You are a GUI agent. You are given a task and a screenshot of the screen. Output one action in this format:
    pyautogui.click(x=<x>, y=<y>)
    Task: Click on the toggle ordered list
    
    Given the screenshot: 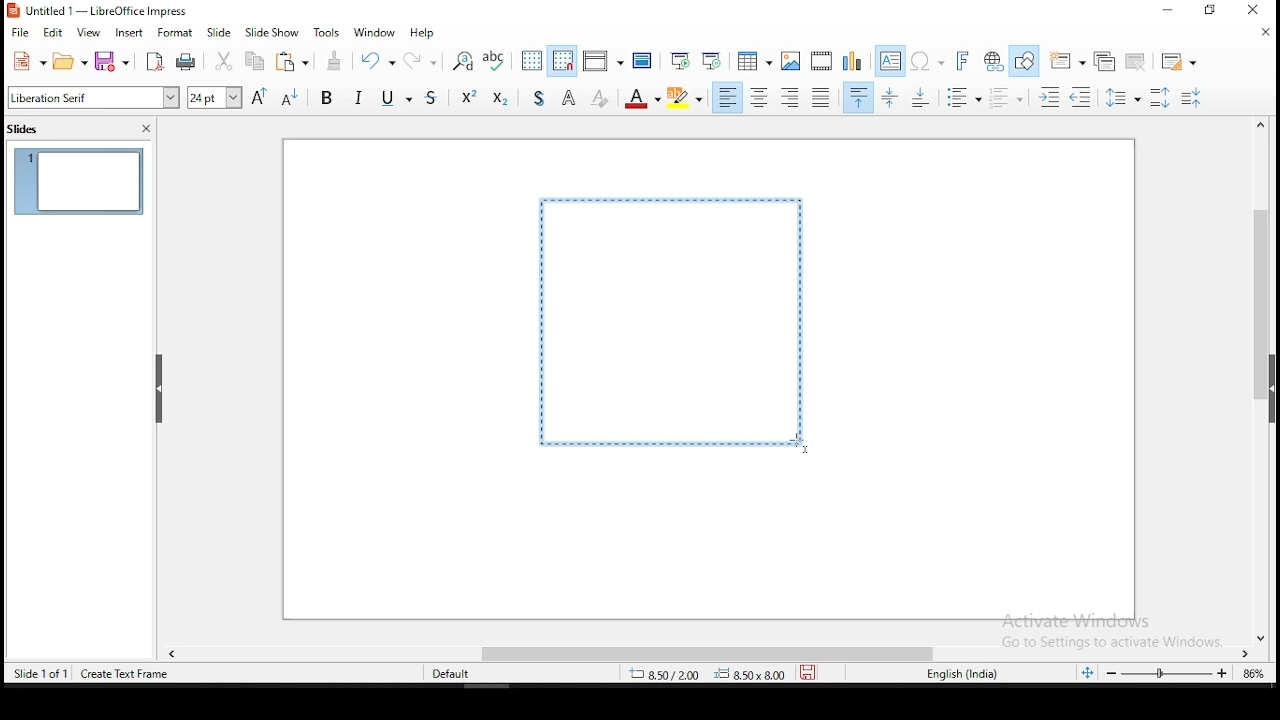 What is the action you would take?
    pyautogui.click(x=1004, y=98)
    